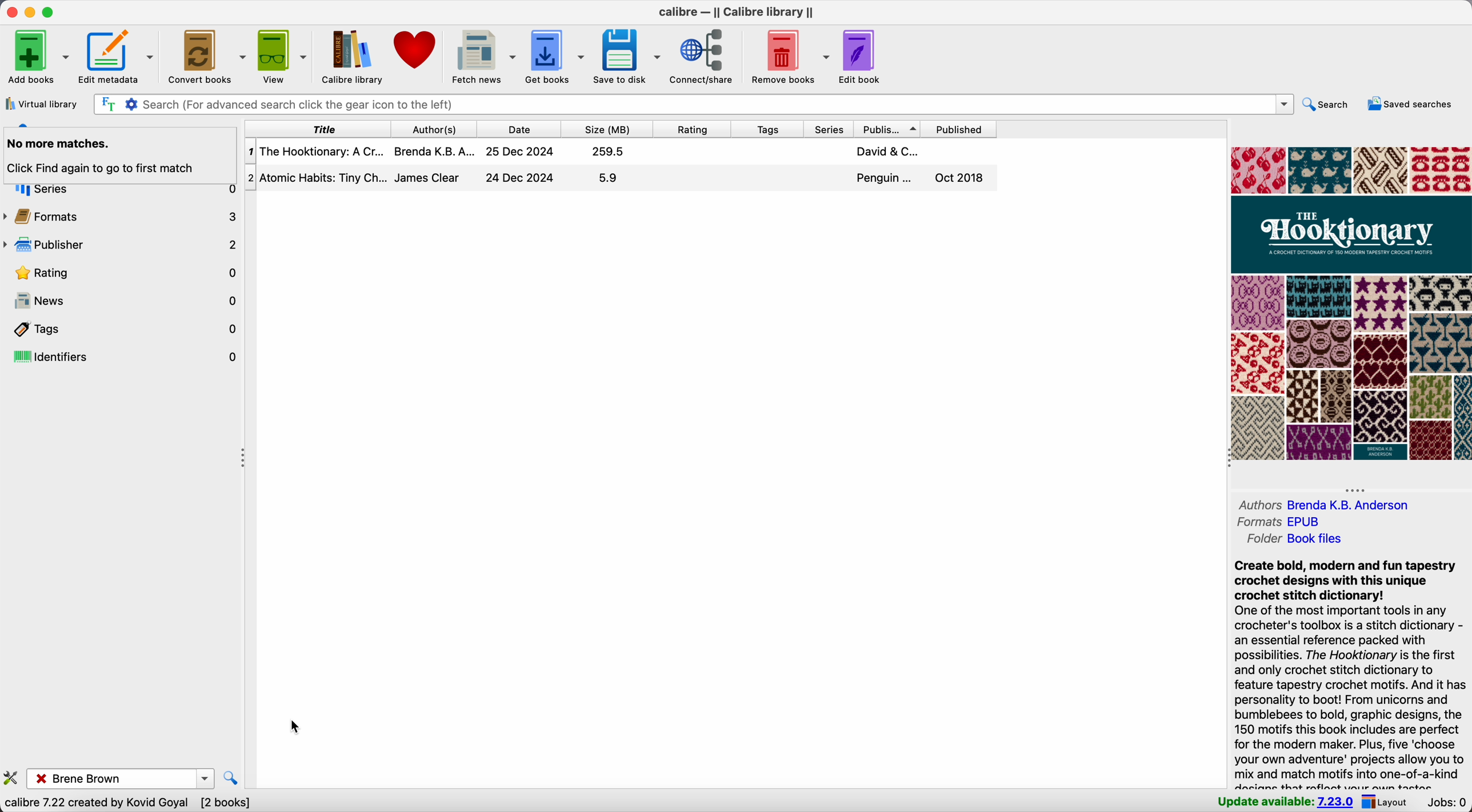 The width and height of the screenshot is (1472, 812). I want to click on Calibre, so click(740, 12).